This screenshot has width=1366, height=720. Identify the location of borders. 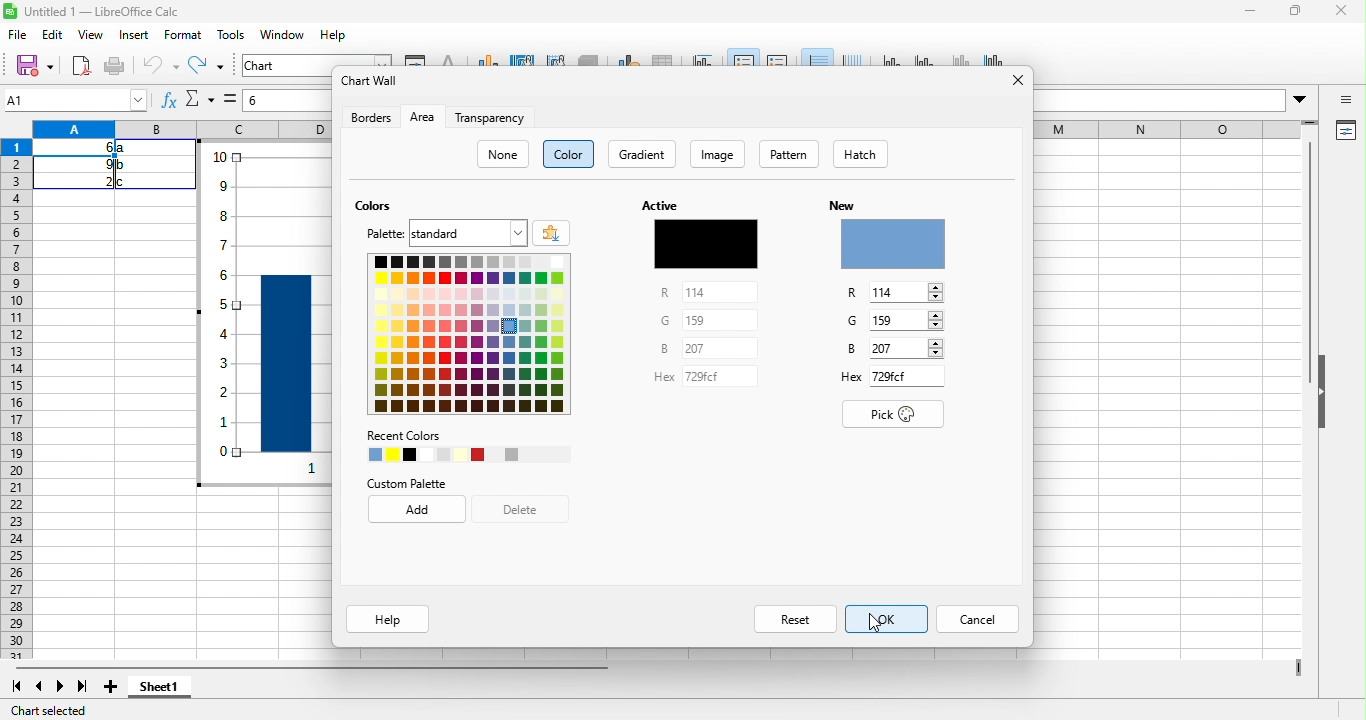
(370, 118).